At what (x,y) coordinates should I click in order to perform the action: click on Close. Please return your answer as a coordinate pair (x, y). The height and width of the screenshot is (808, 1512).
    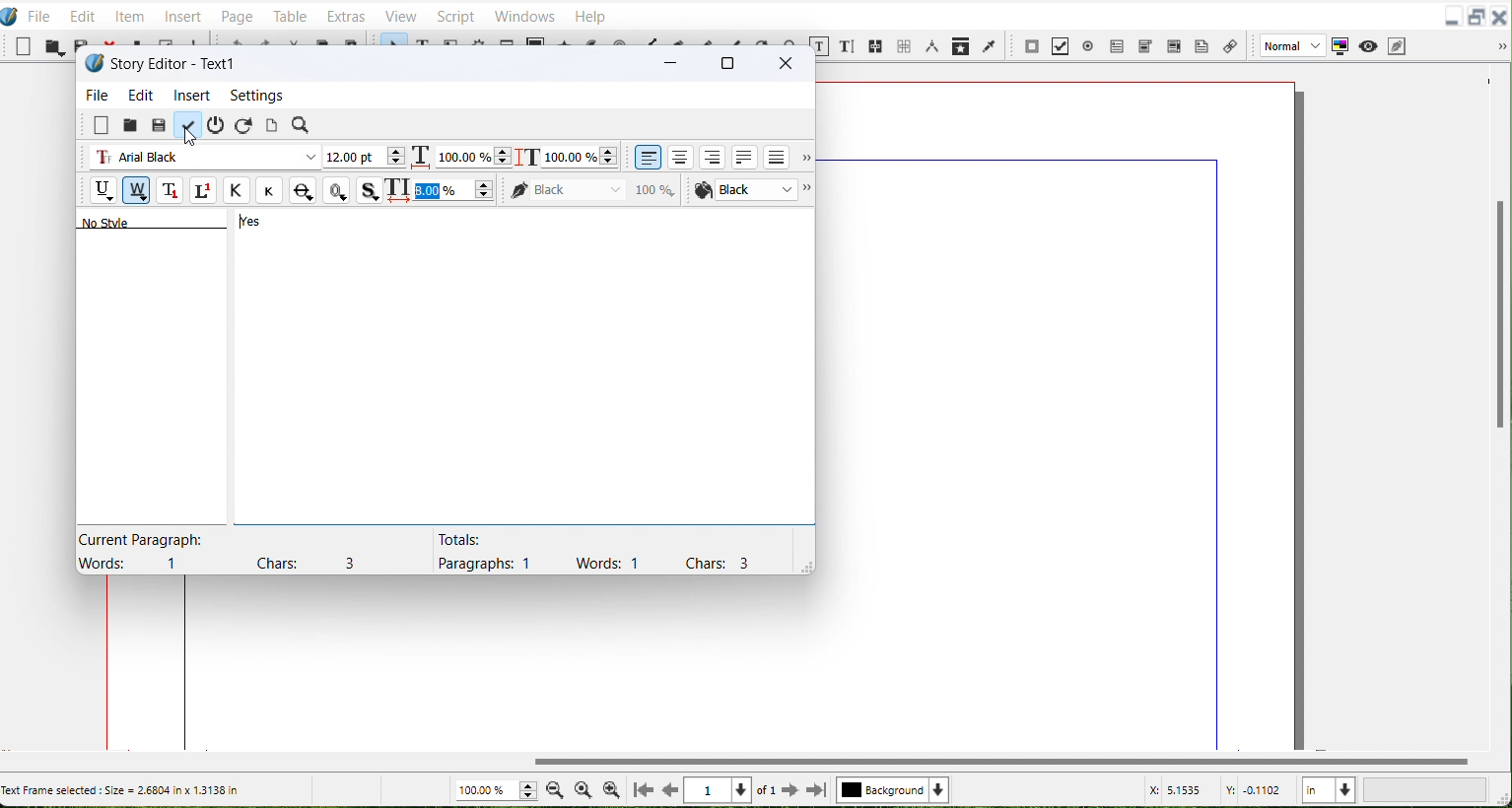
    Looking at the image, I should click on (1502, 15).